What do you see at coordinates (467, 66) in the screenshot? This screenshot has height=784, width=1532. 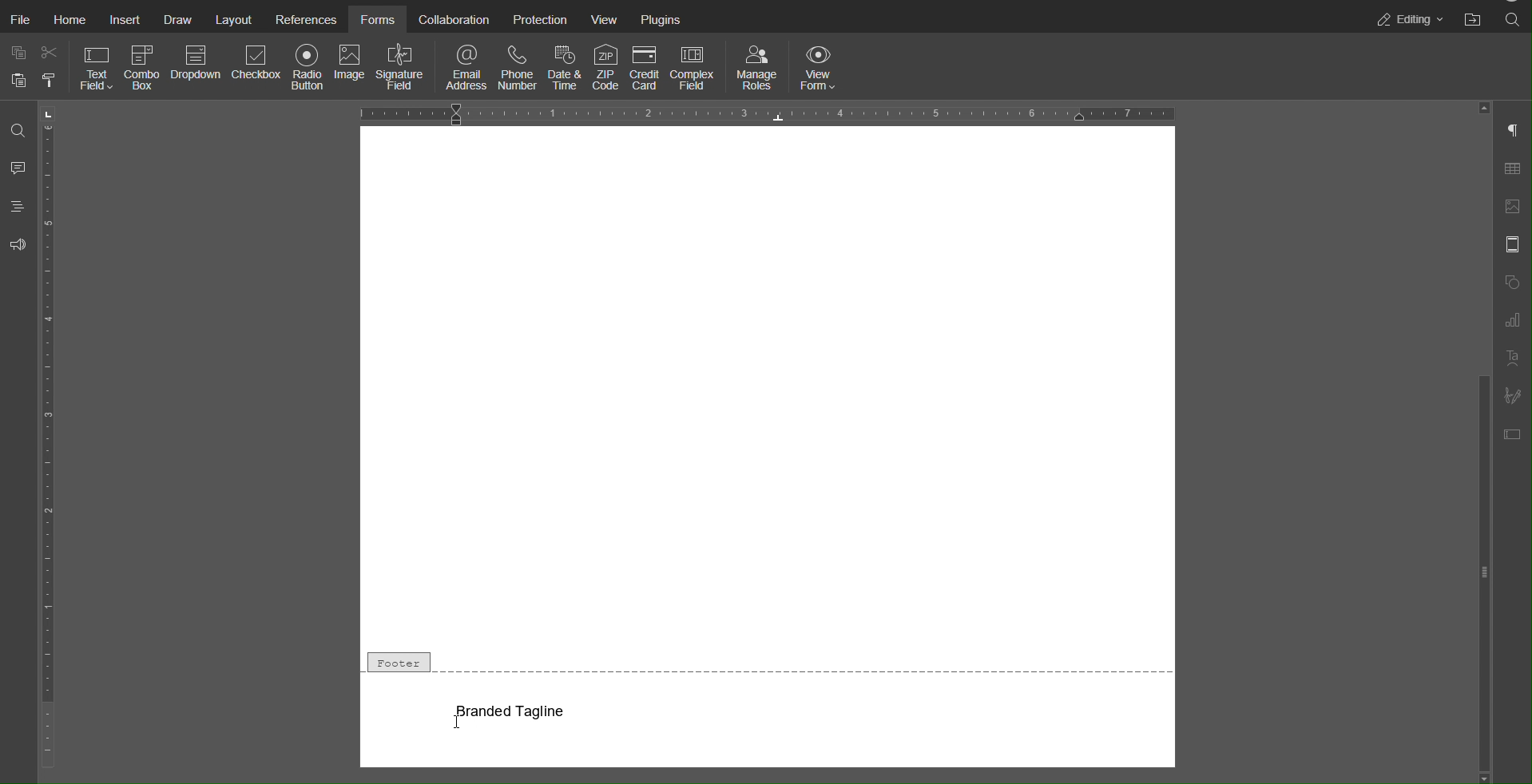 I see `Email Address` at bounding box center [467, 66].